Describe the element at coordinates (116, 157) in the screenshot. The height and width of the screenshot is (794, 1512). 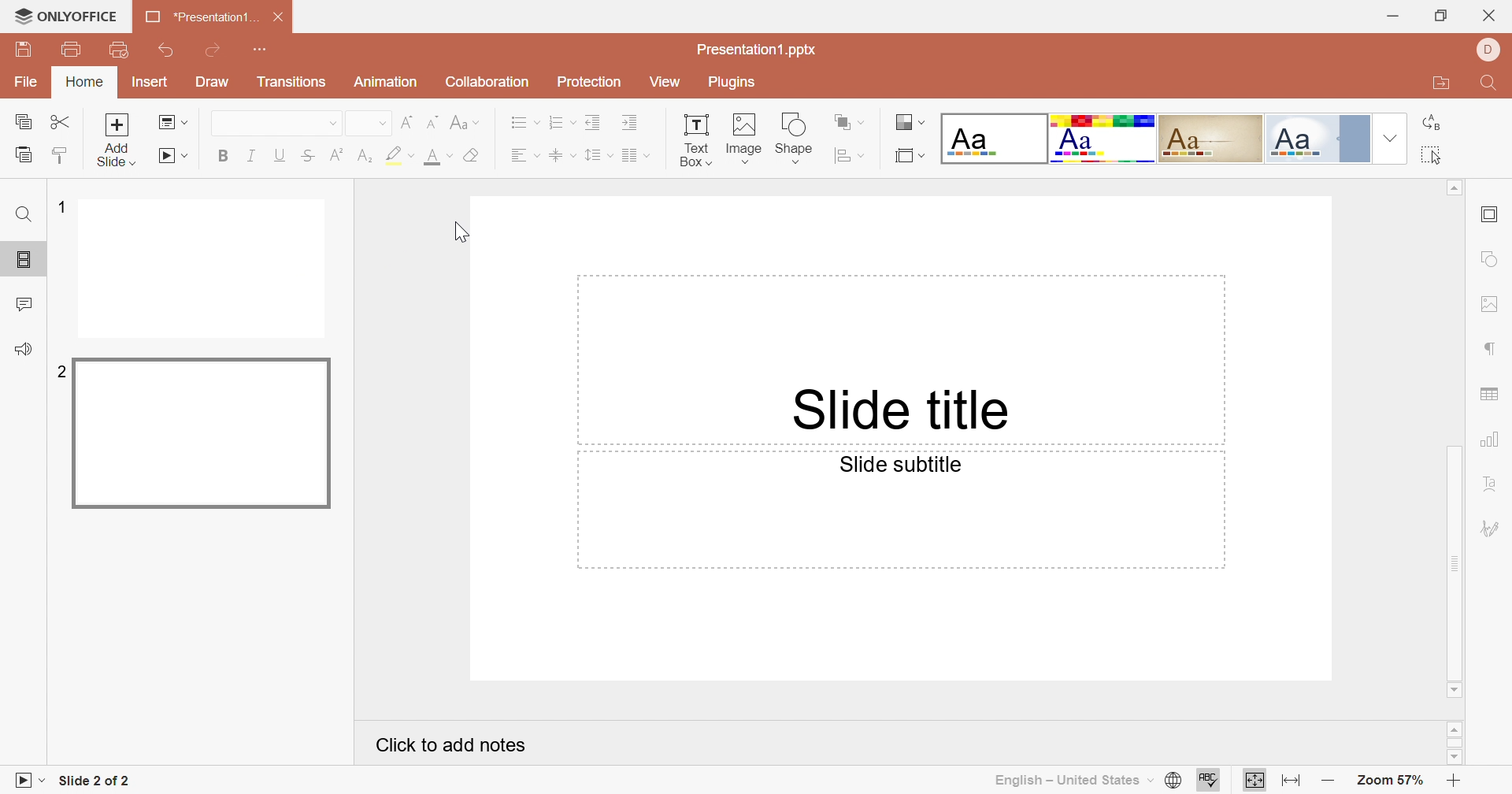
I see `add slide with theme` at that location.